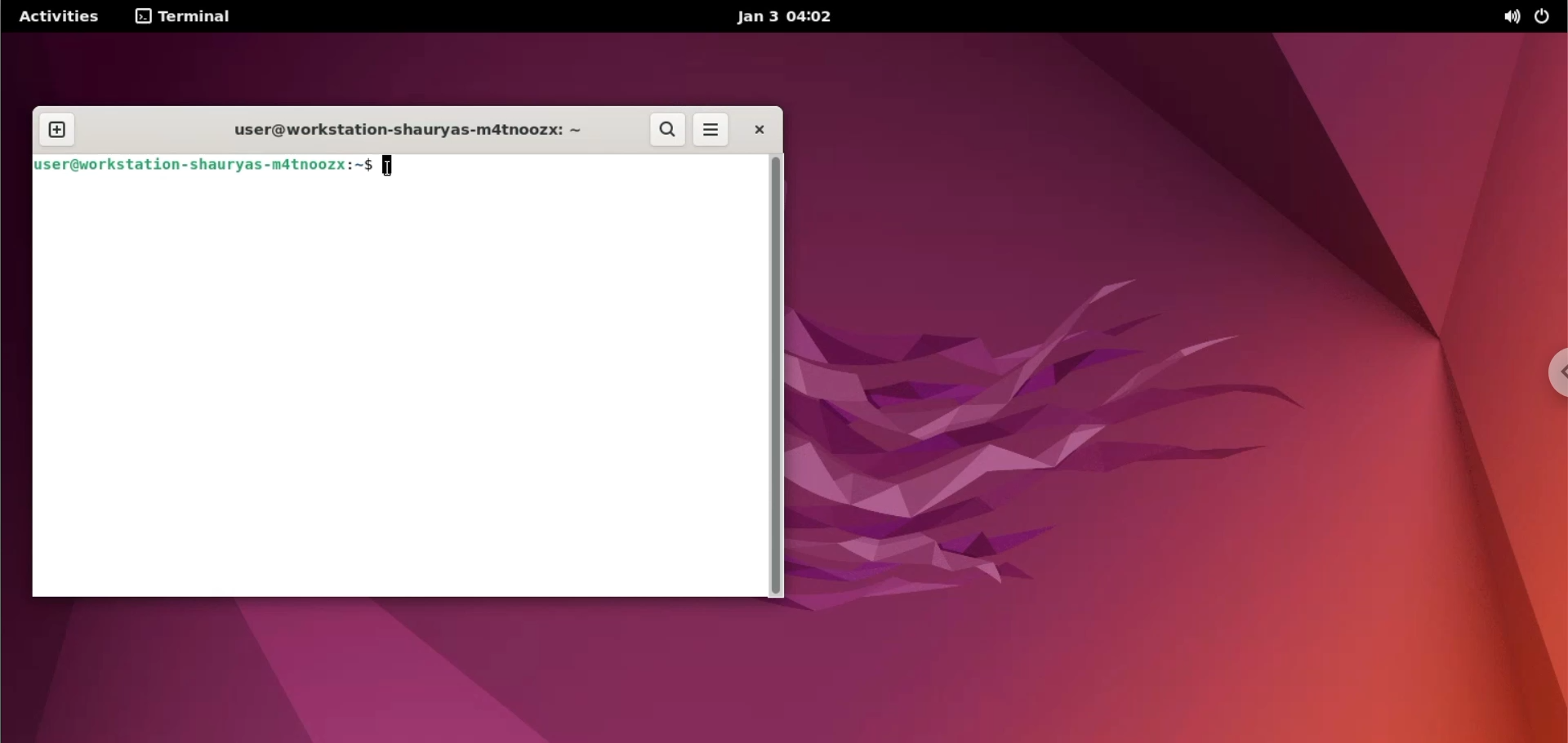 Image resolution: width=1568 pixels, height=743 pixels. Describe the element at coordinates (204, 162) in the screenshot. I see `user@workstation-shaurvas-m4tnoozx:~$` at that location.